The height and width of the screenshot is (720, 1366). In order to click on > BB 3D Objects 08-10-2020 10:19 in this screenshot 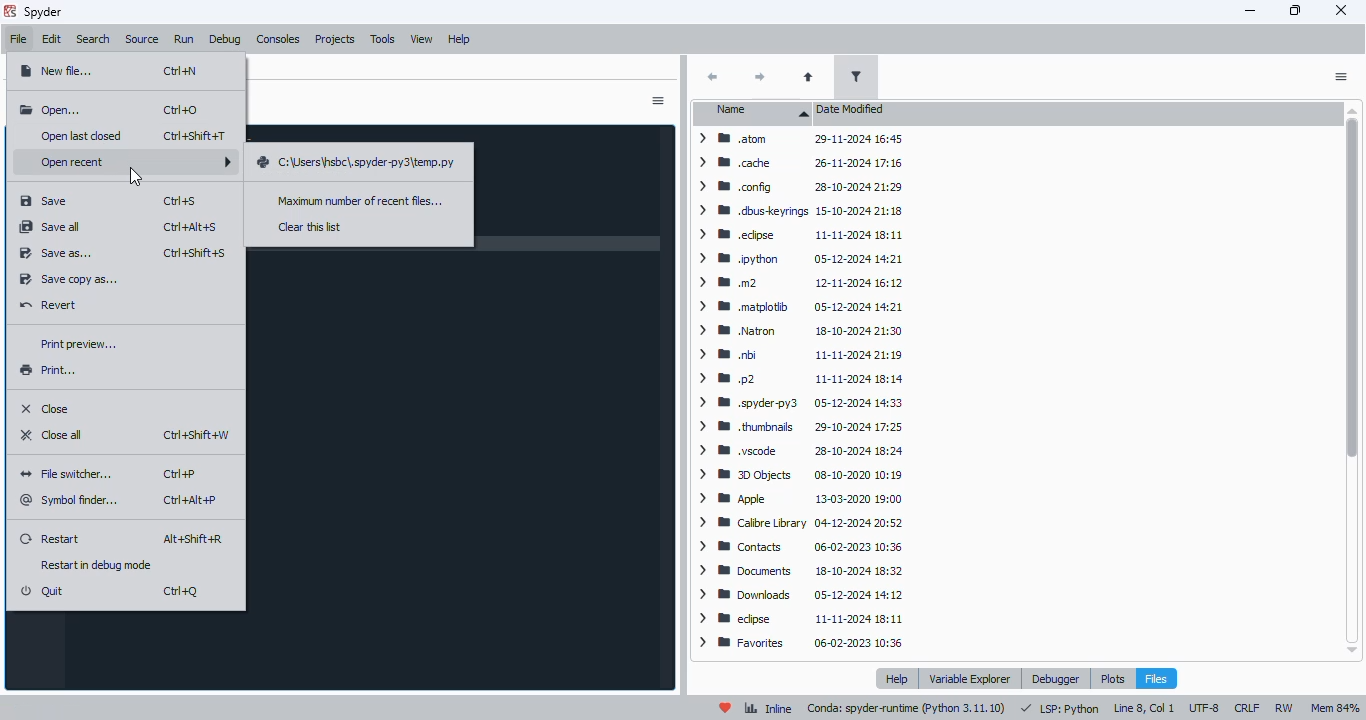, I will do `click(796, 473)`.